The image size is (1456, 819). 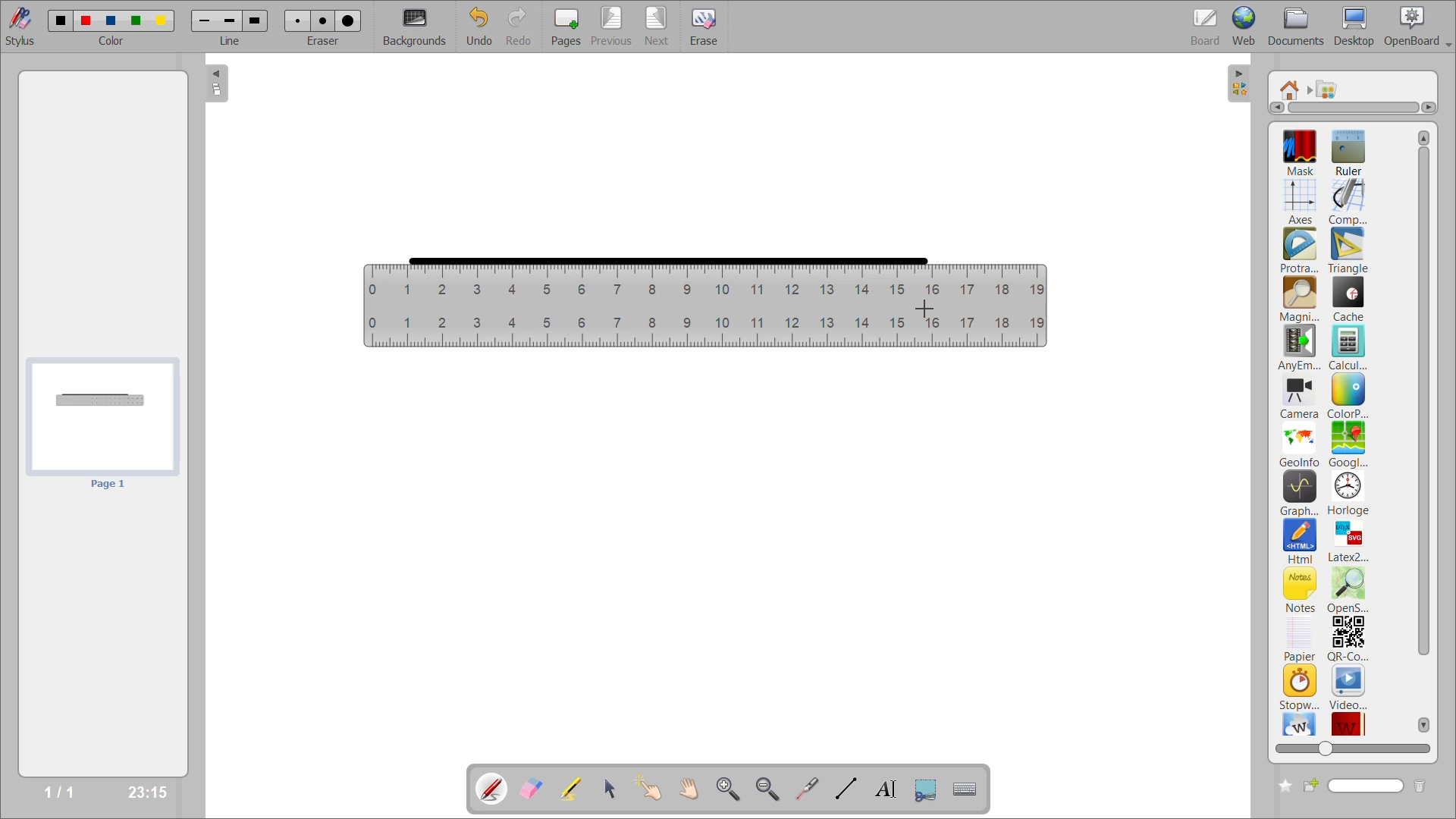 What do you see at coordinates (612, 25) in the screenshot?
I see `previous` at bounding box center [612, 25].